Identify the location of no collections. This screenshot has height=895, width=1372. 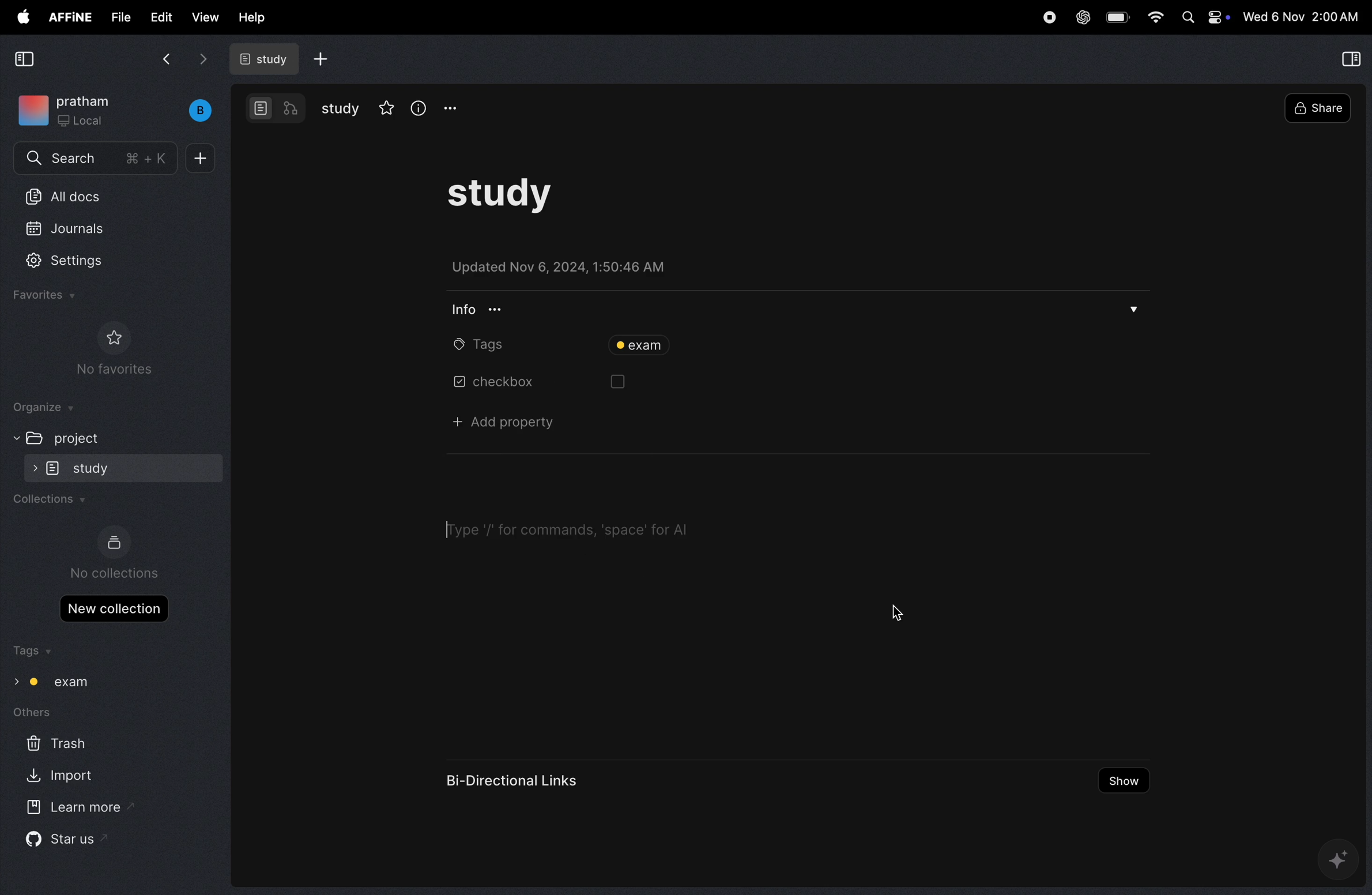
(117, 555).